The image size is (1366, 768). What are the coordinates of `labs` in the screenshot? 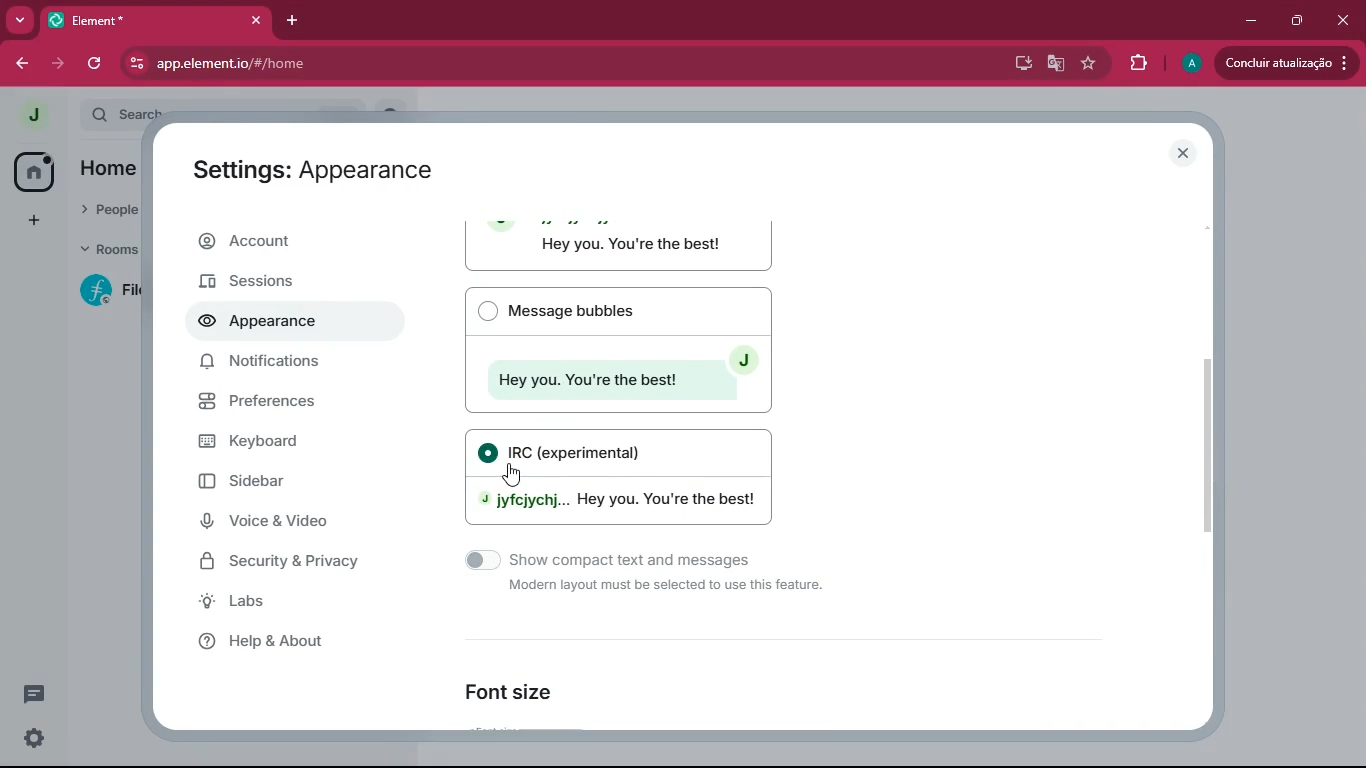 It's located at (282, 602).